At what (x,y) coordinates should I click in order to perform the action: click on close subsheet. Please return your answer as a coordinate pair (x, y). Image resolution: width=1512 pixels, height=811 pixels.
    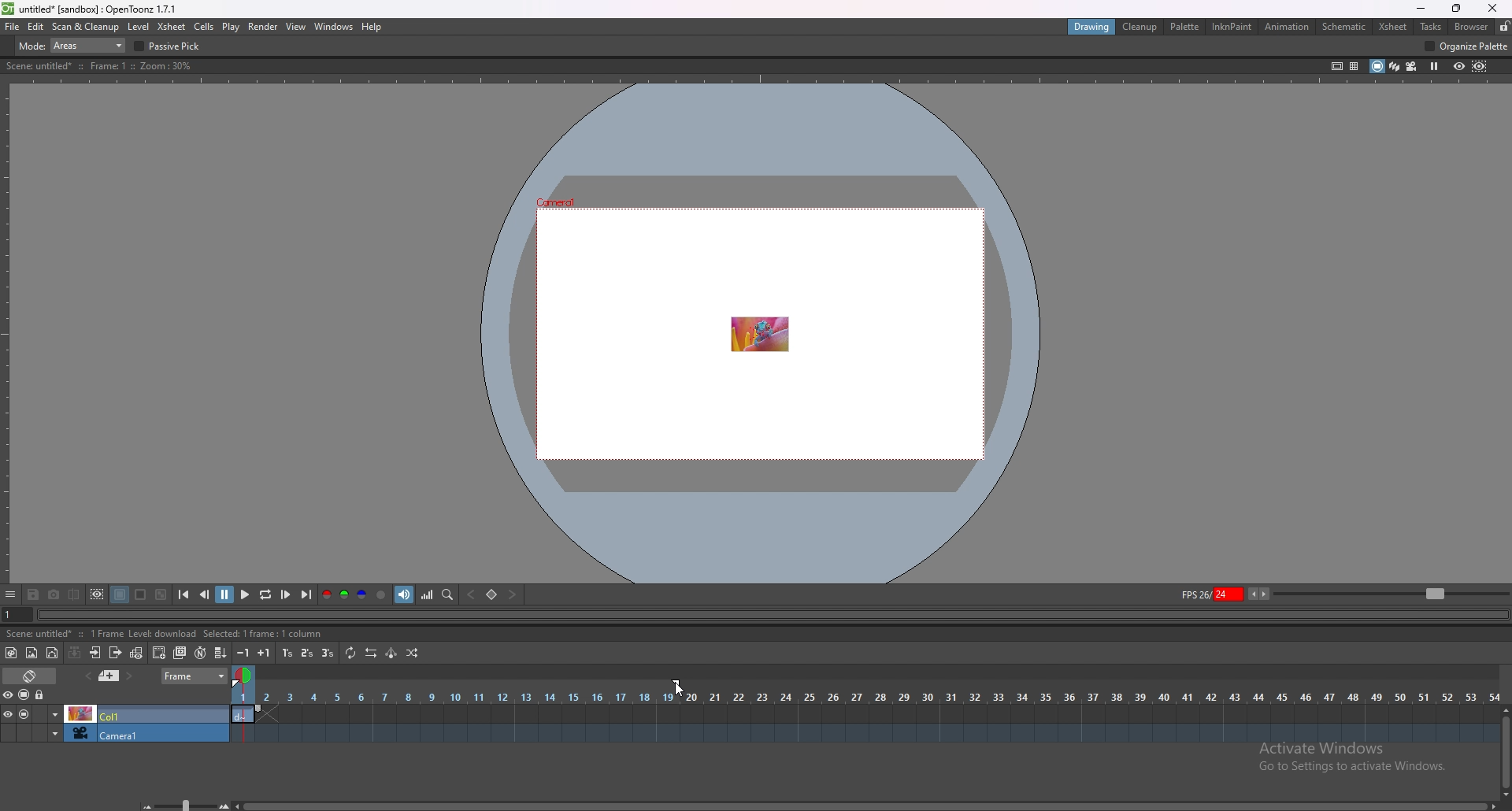
    Looking at the image, I should click on (116, 653).